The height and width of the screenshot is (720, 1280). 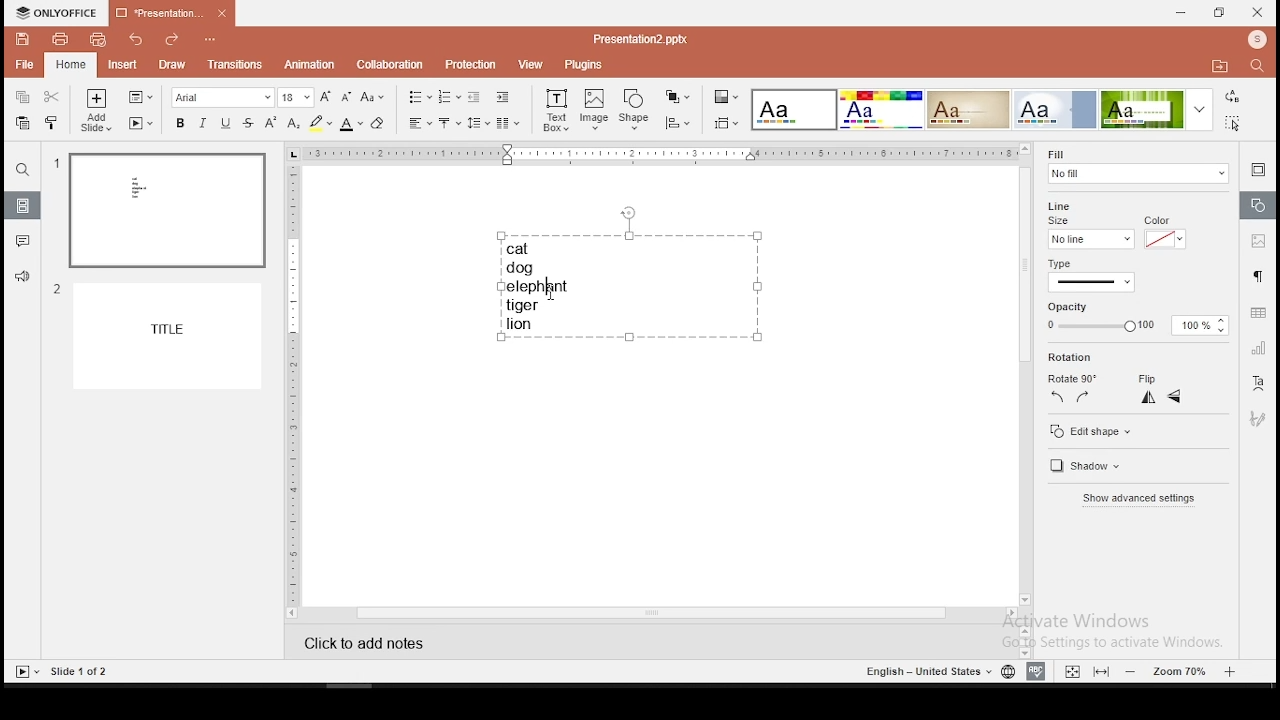 What do you see at coordinates (24, 671) in the screenshot?
I see `start slide show` at bounding box center [24, 671].